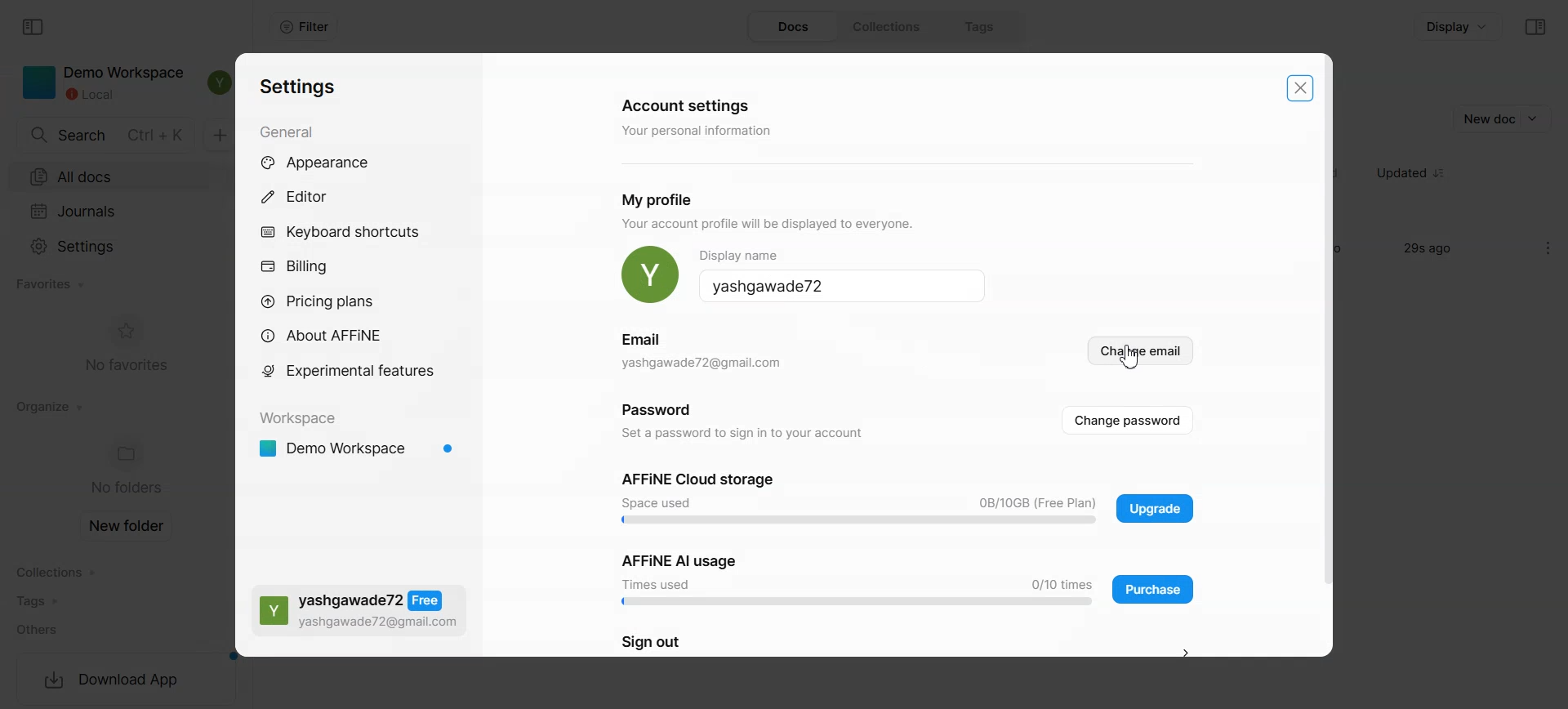 This screenshot has height=709, width=1568. Describe the element at coordinates (657, 203) in the screenshot. I see `my profil.e` at that location.